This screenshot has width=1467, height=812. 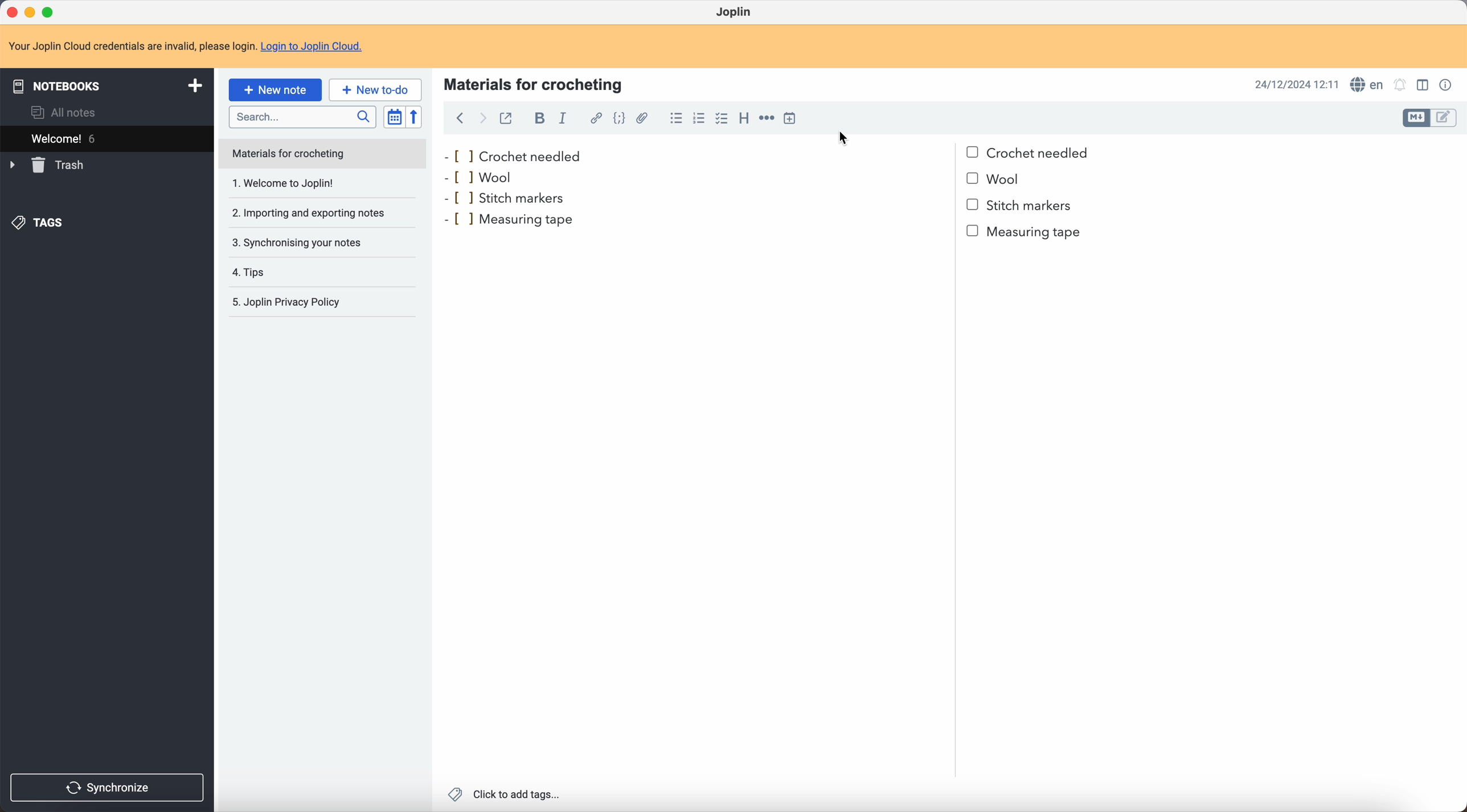 What do you see at coordinates (457, 199) in the screenshot?
I see `bullet point` at bounding box center [457, 199].